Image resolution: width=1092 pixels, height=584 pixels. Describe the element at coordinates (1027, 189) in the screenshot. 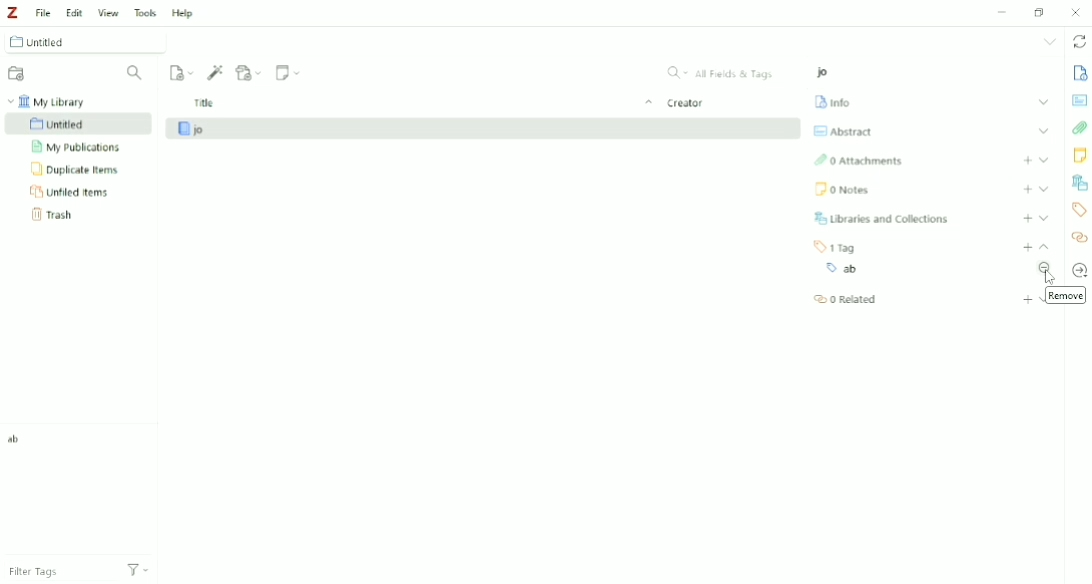

I see `Add` at that location.